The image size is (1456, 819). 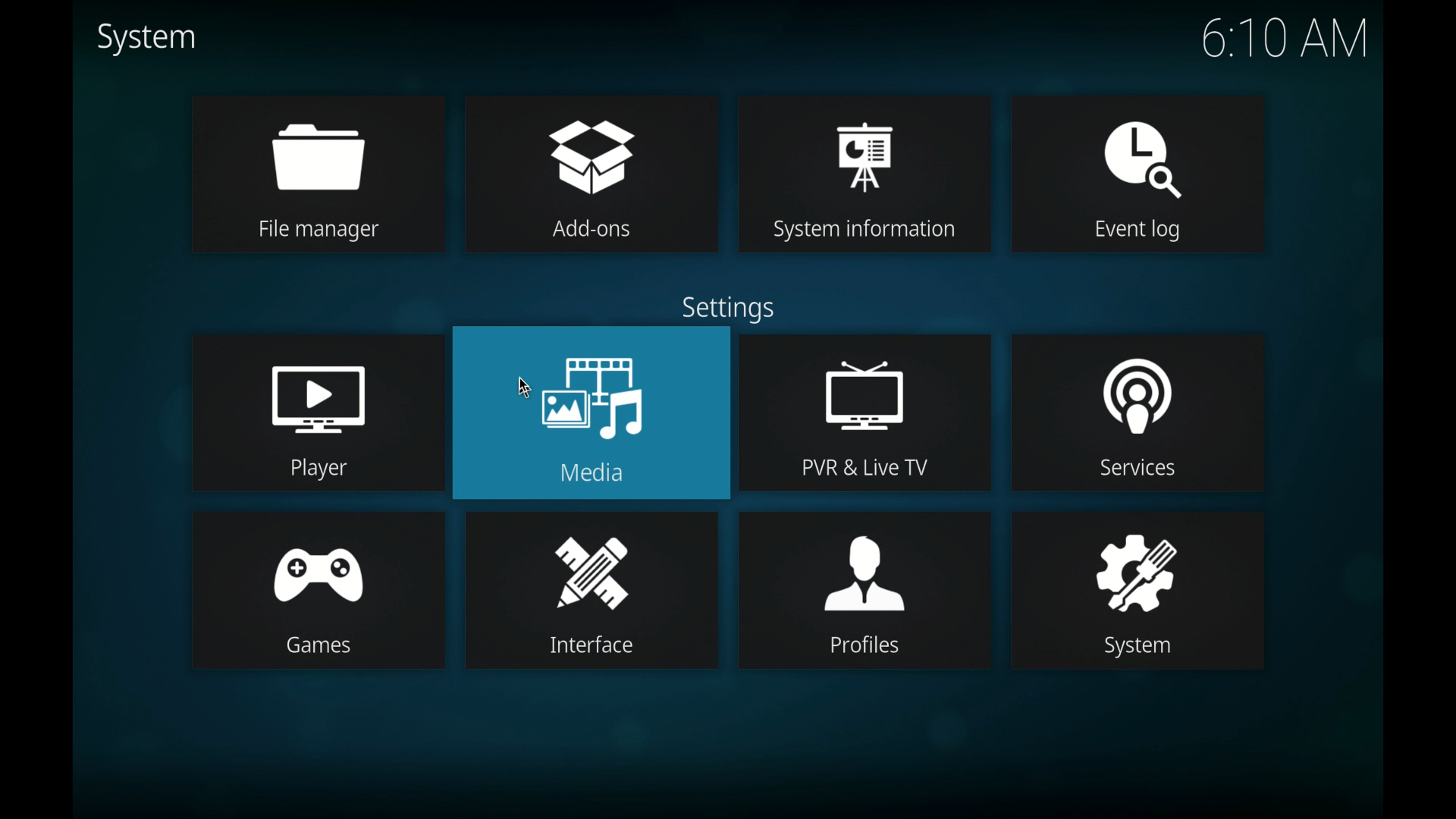 I want to click on services, so click(x=1137, y=413).